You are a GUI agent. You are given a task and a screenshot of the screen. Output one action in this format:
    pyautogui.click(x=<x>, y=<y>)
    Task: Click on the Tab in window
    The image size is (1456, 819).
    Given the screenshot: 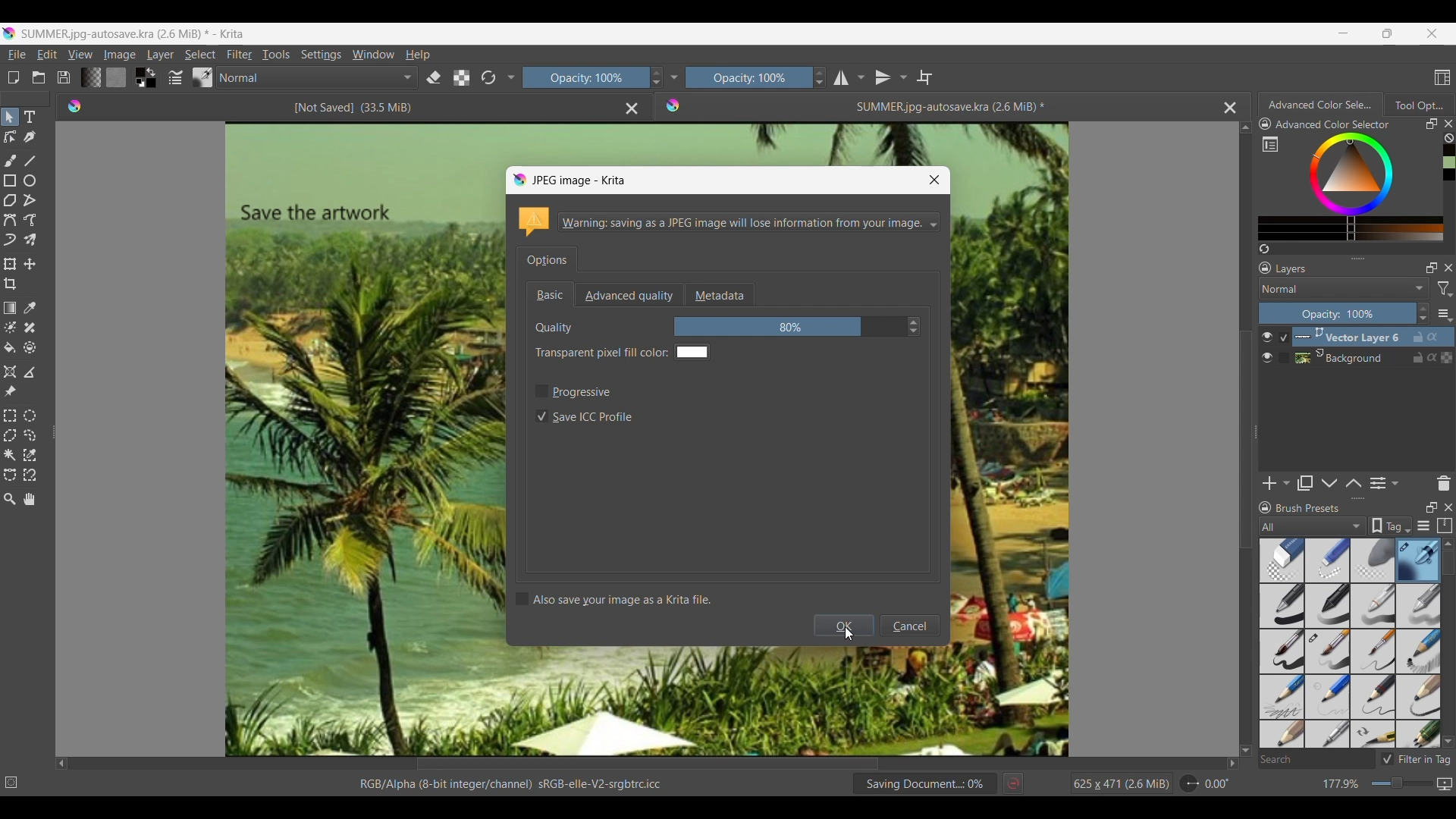 What is the action you would take?
    pyautogui.click(x=547, y=259)
    